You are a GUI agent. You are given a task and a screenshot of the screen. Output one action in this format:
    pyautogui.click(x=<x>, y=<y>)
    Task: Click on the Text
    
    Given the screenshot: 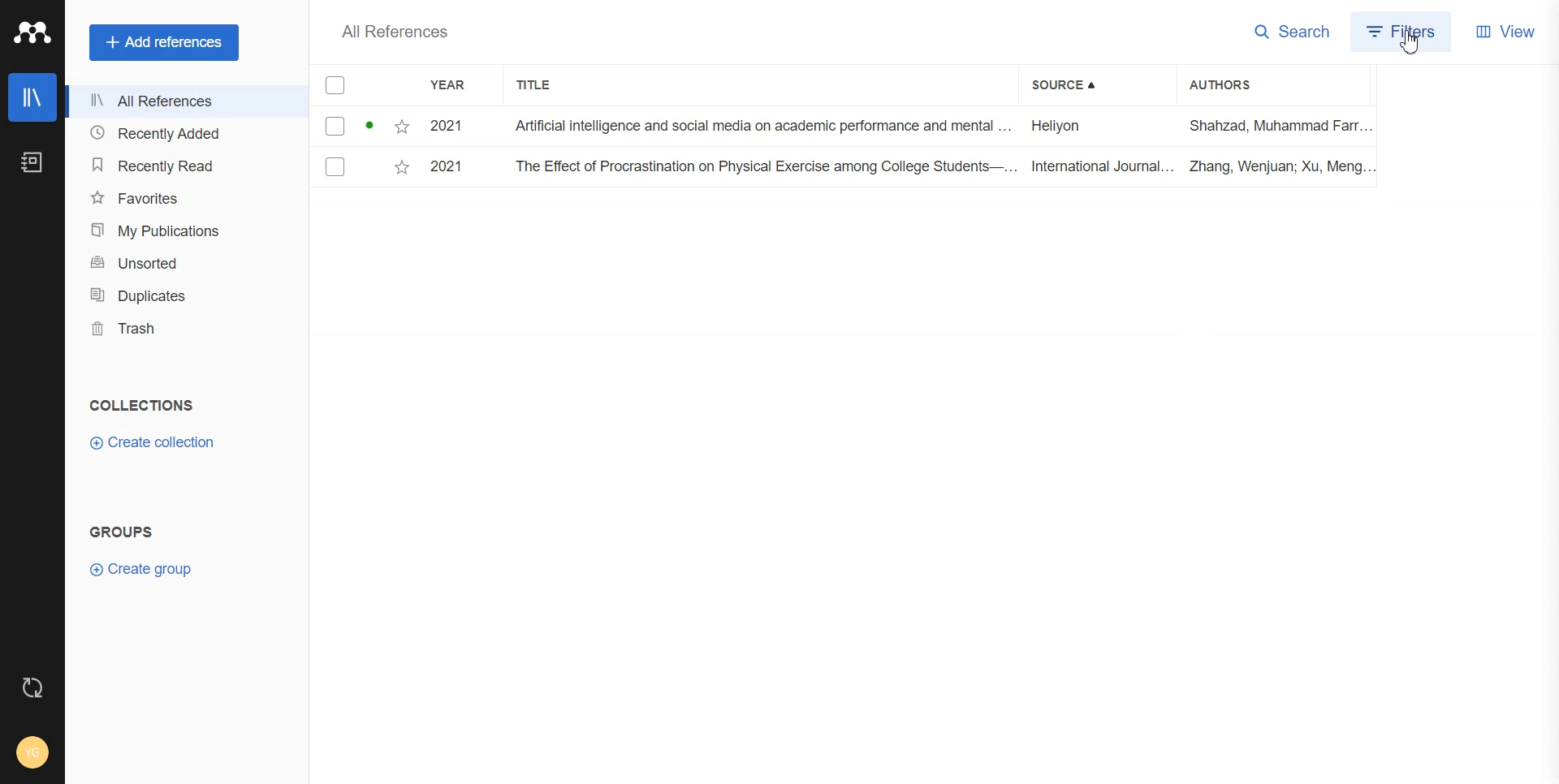 What is the action you would take?
    pyautogui.click(x=395, y=32)
    